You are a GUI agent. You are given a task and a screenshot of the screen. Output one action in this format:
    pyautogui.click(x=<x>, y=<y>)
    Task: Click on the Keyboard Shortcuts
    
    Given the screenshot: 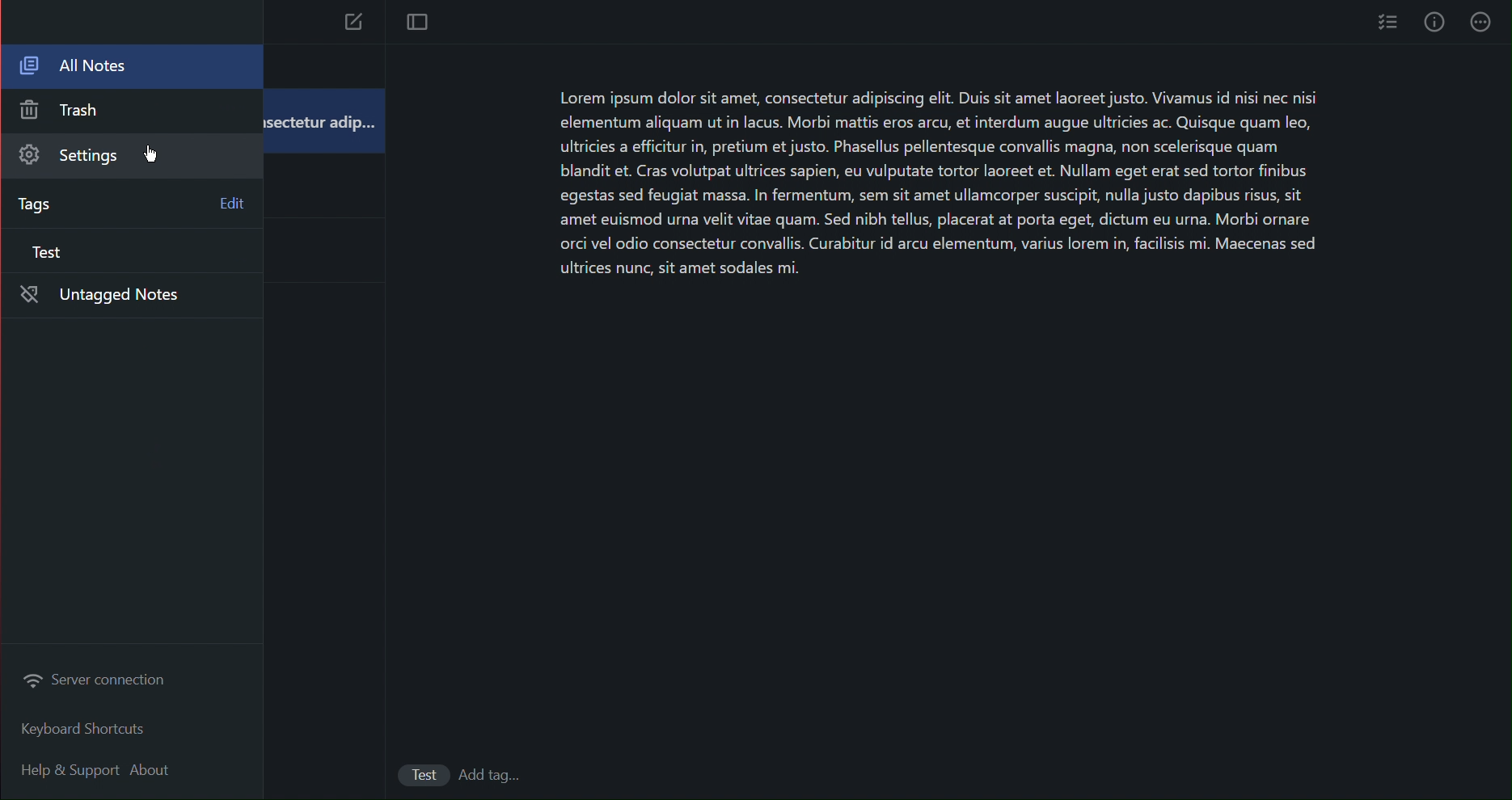 What is the action you would take?
    pyautogui.click(x=91, y=728)
    